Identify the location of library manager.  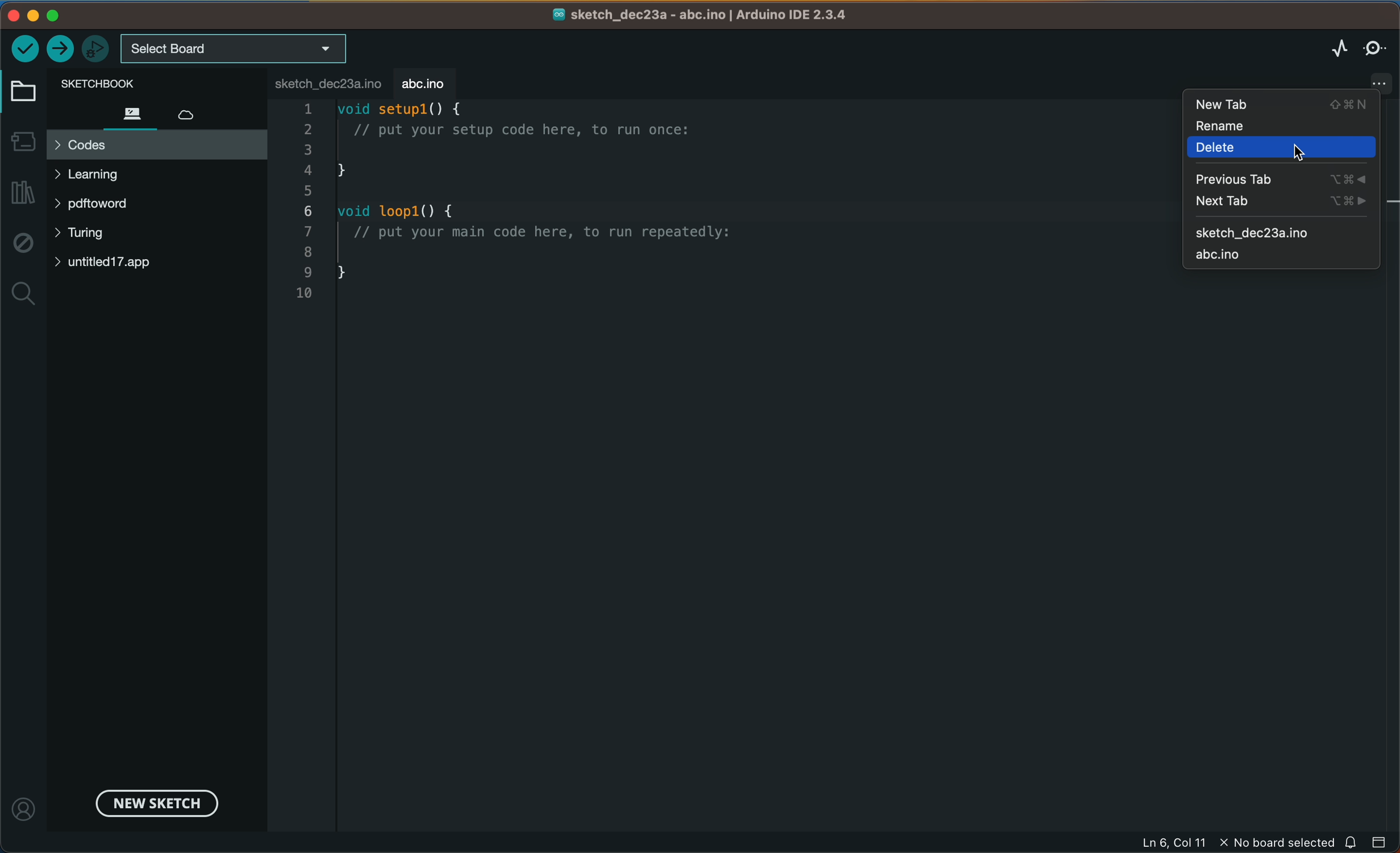
(22, 192).